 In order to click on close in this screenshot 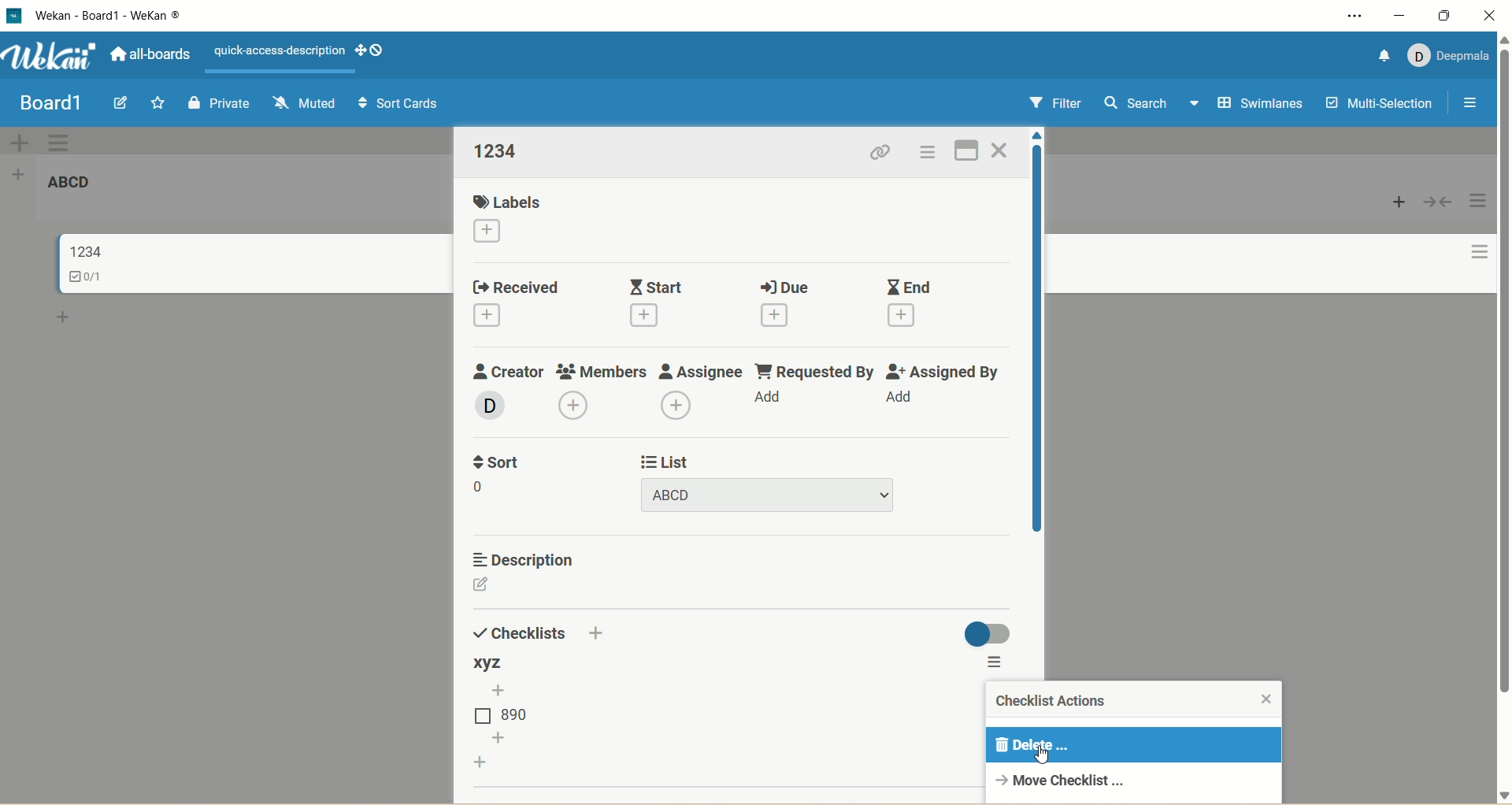, I will do `click(1495, 16)`.